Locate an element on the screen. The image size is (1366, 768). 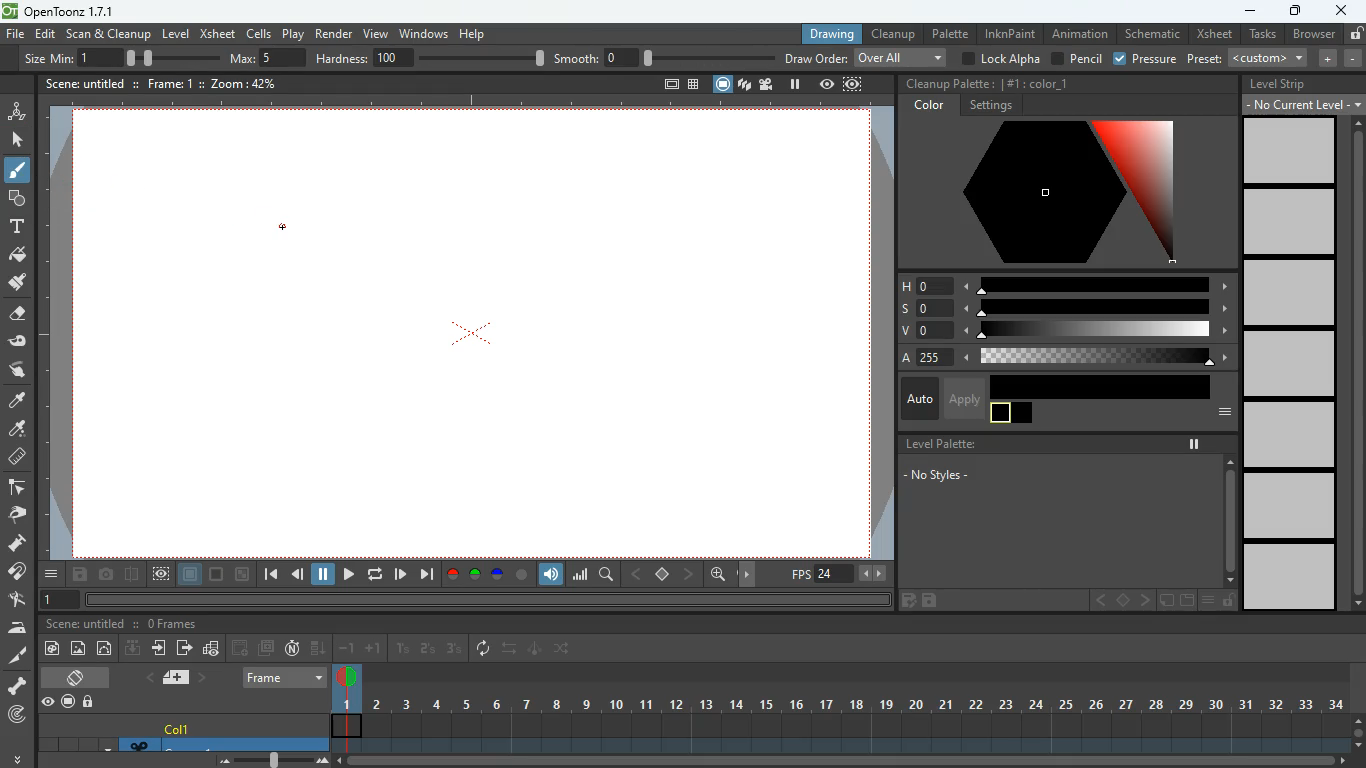
record is located at coordinates (67, 703).